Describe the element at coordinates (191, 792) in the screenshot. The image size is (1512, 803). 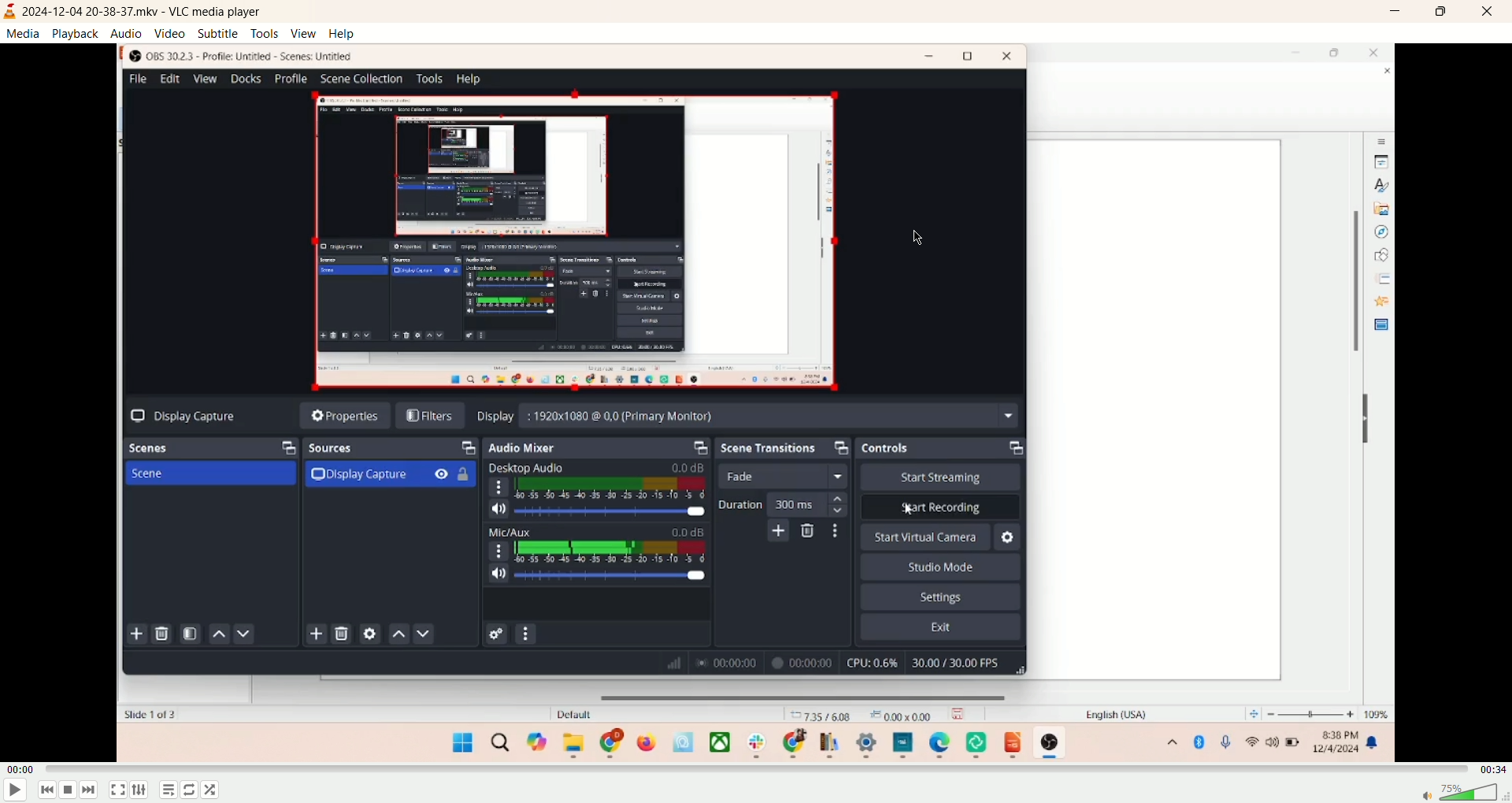
I see `loop` at that location.